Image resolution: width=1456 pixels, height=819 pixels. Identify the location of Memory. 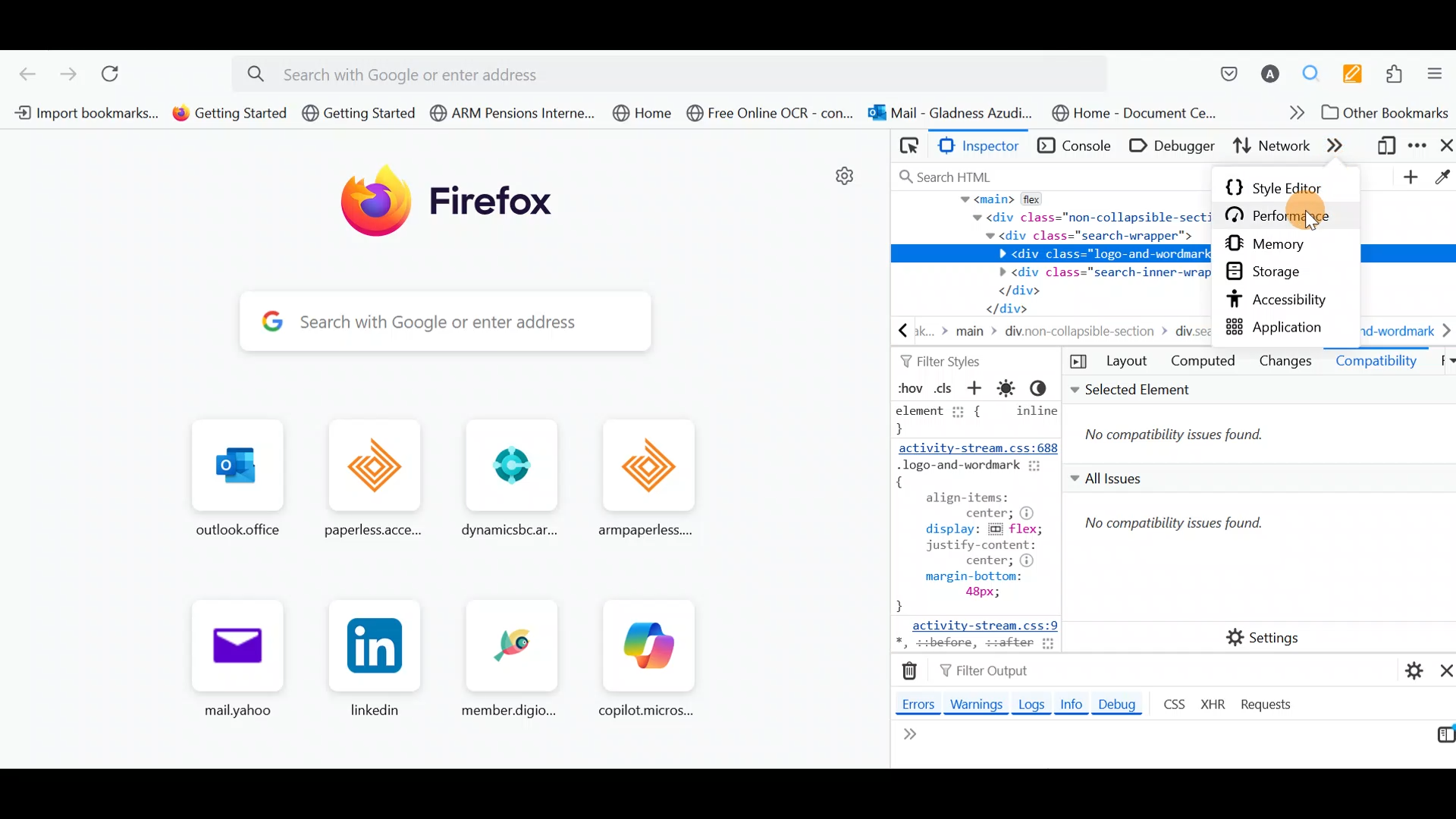
(1282, 246).